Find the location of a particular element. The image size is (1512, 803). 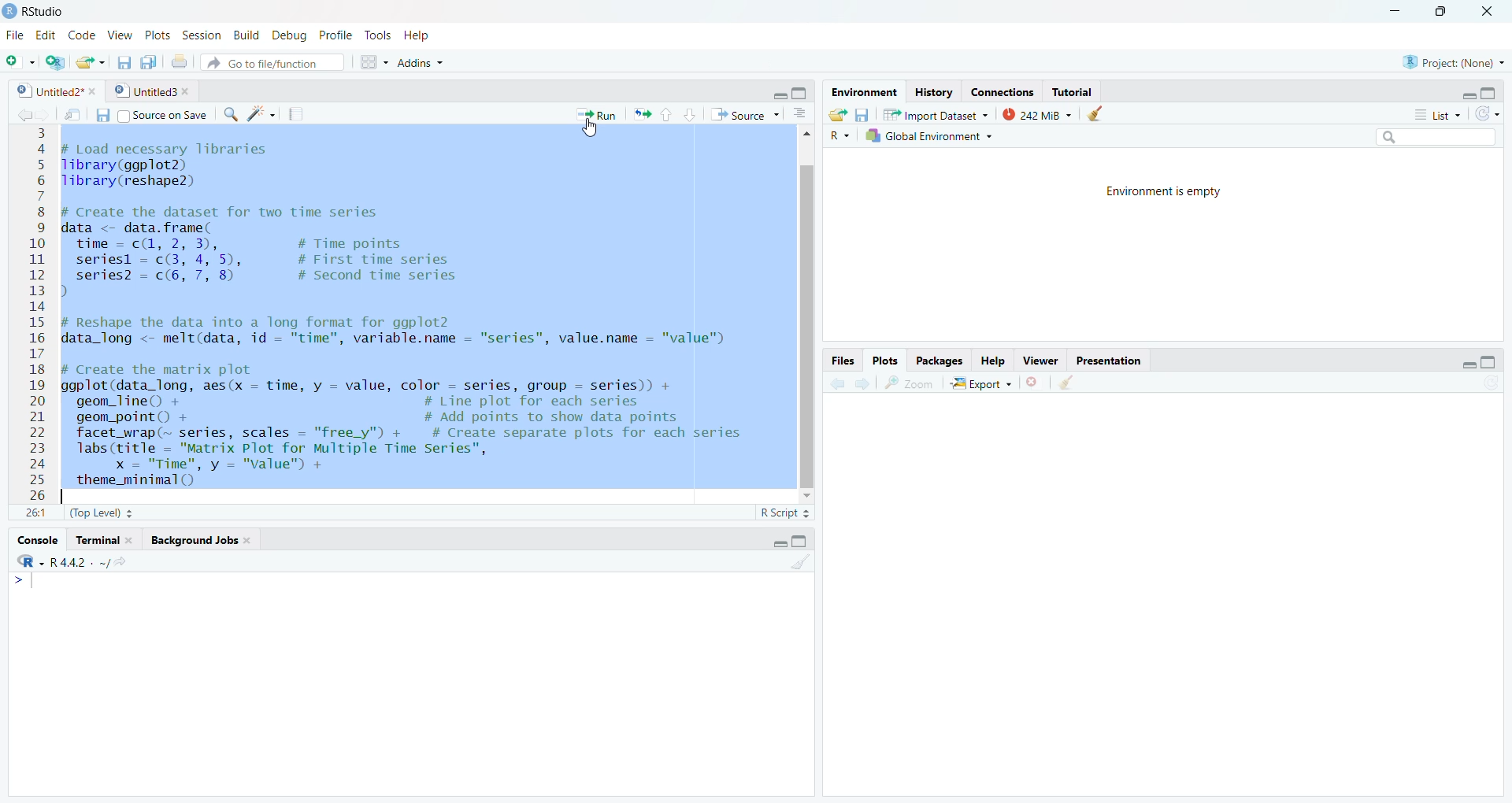

Maximize is located at coordinates (1444, 11).